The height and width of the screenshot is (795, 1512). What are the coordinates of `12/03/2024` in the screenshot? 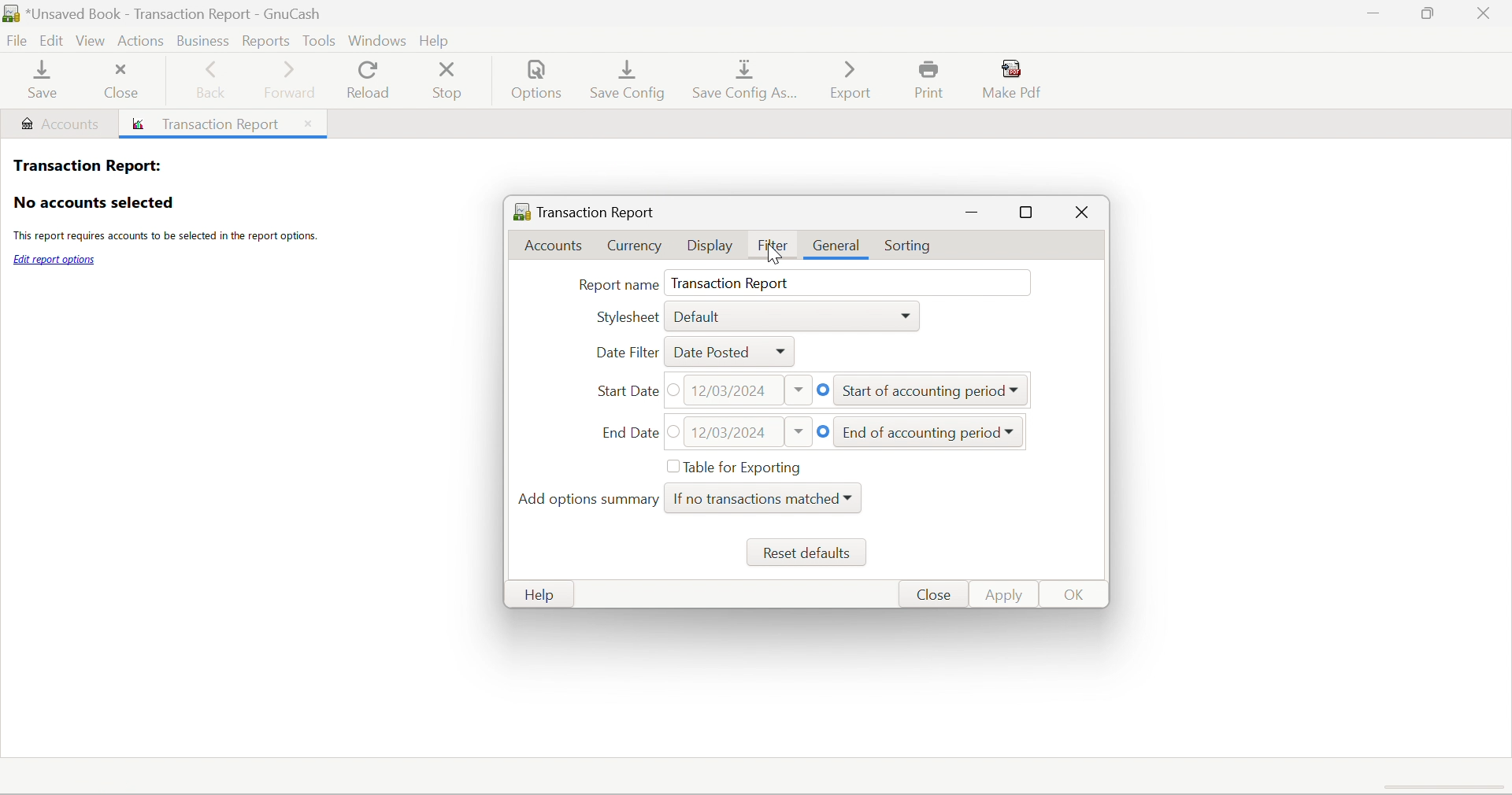 It's located at (732, 433).